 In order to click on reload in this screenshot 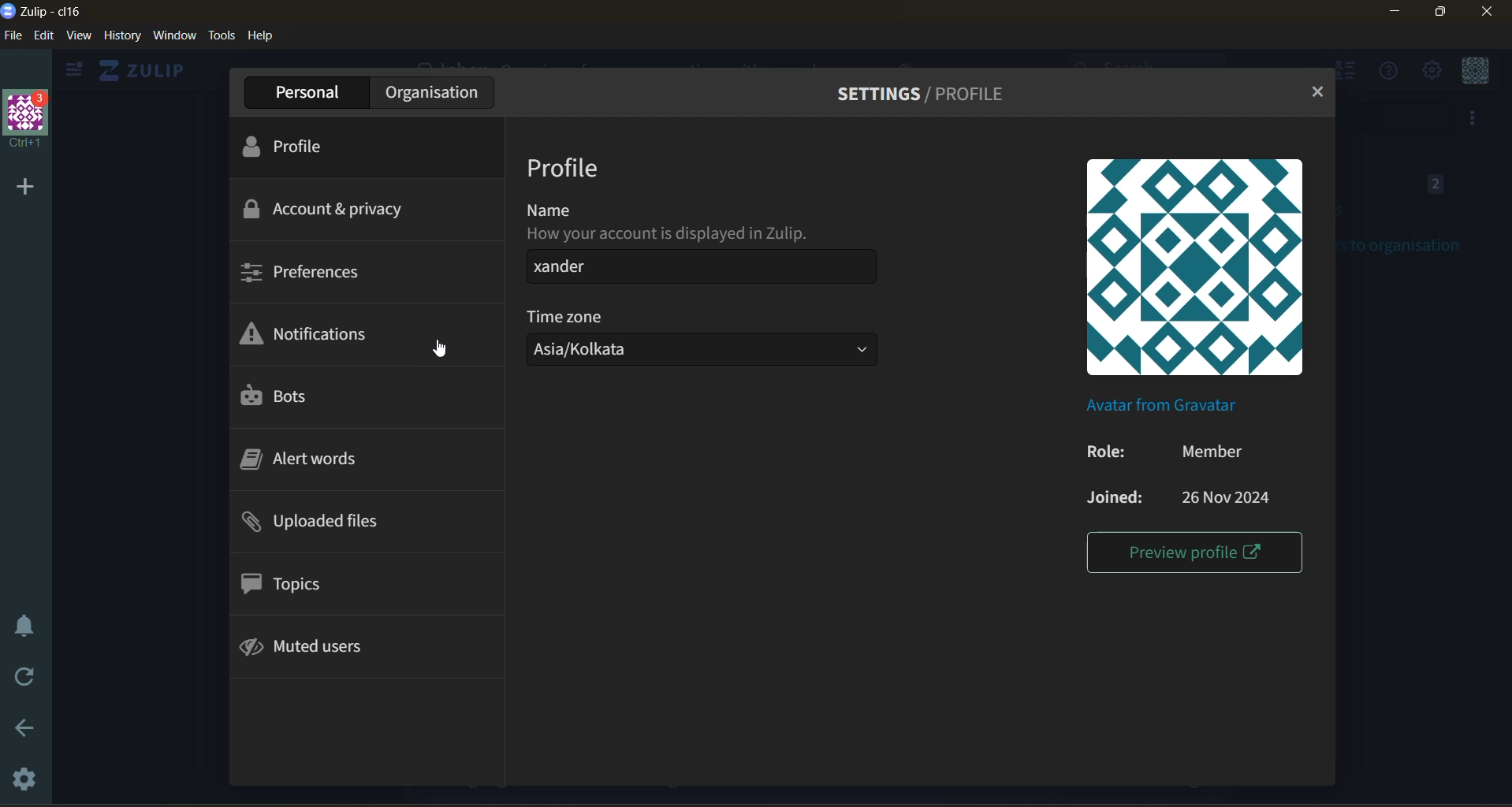, I will do `click(28, 680)`.